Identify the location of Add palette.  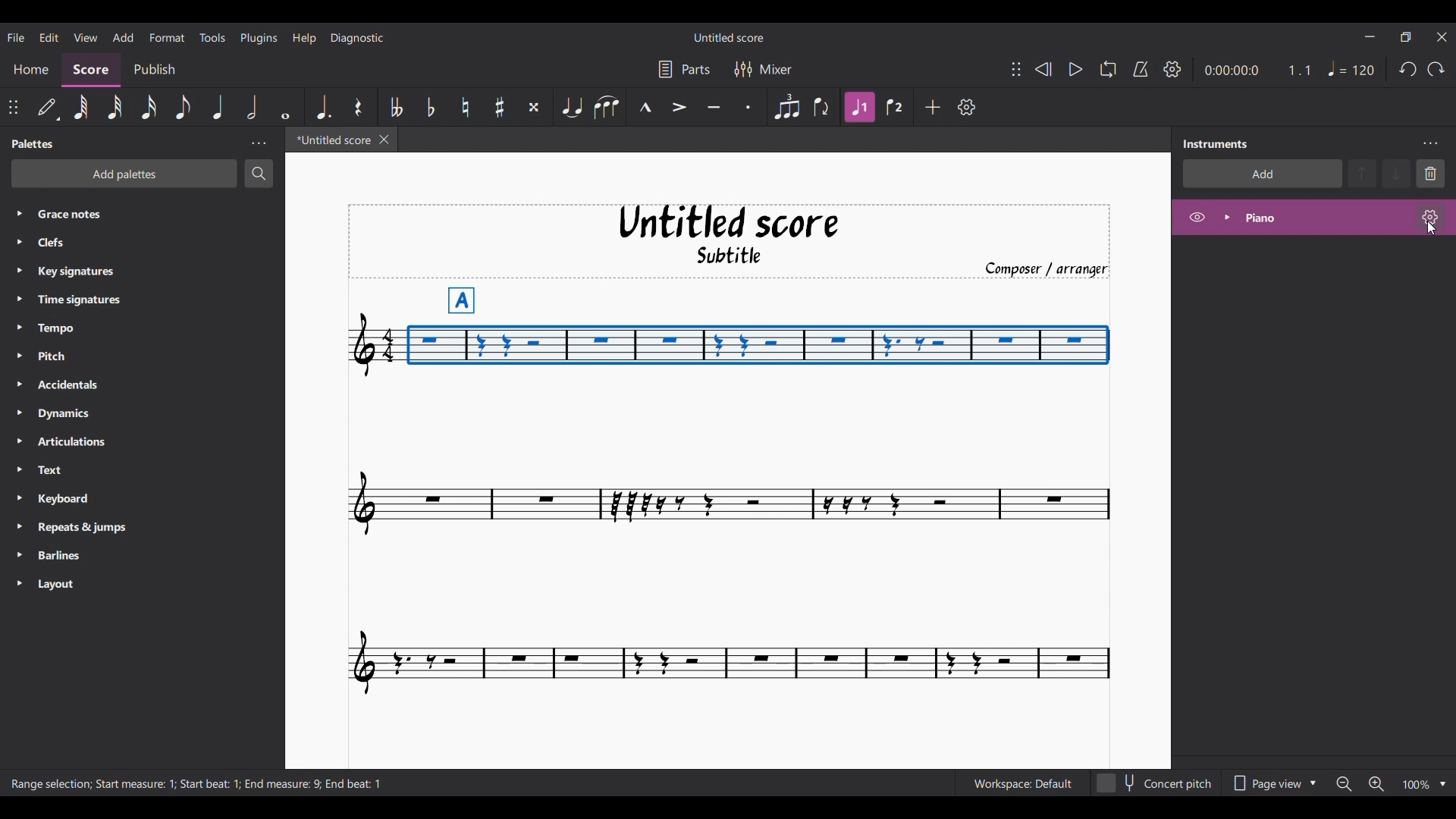
(124, 174).